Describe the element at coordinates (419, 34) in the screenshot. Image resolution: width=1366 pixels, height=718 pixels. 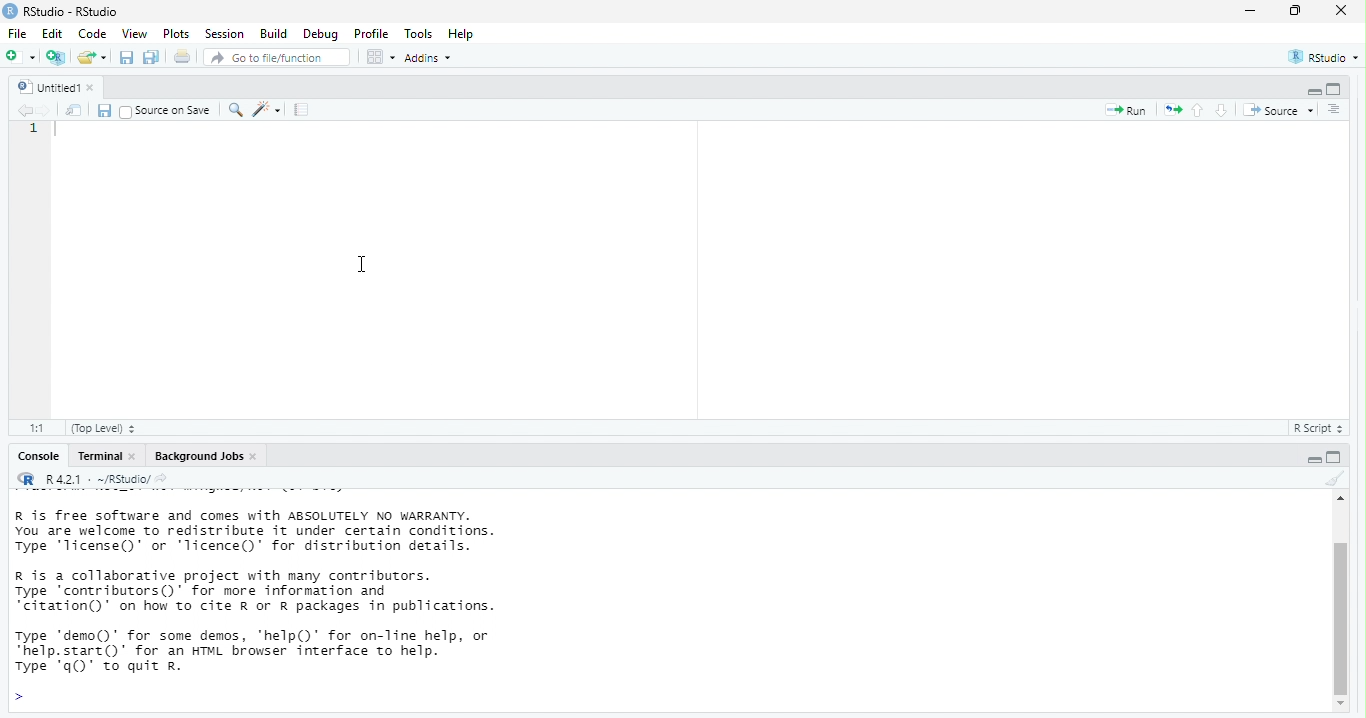
I see `tools` at that location.